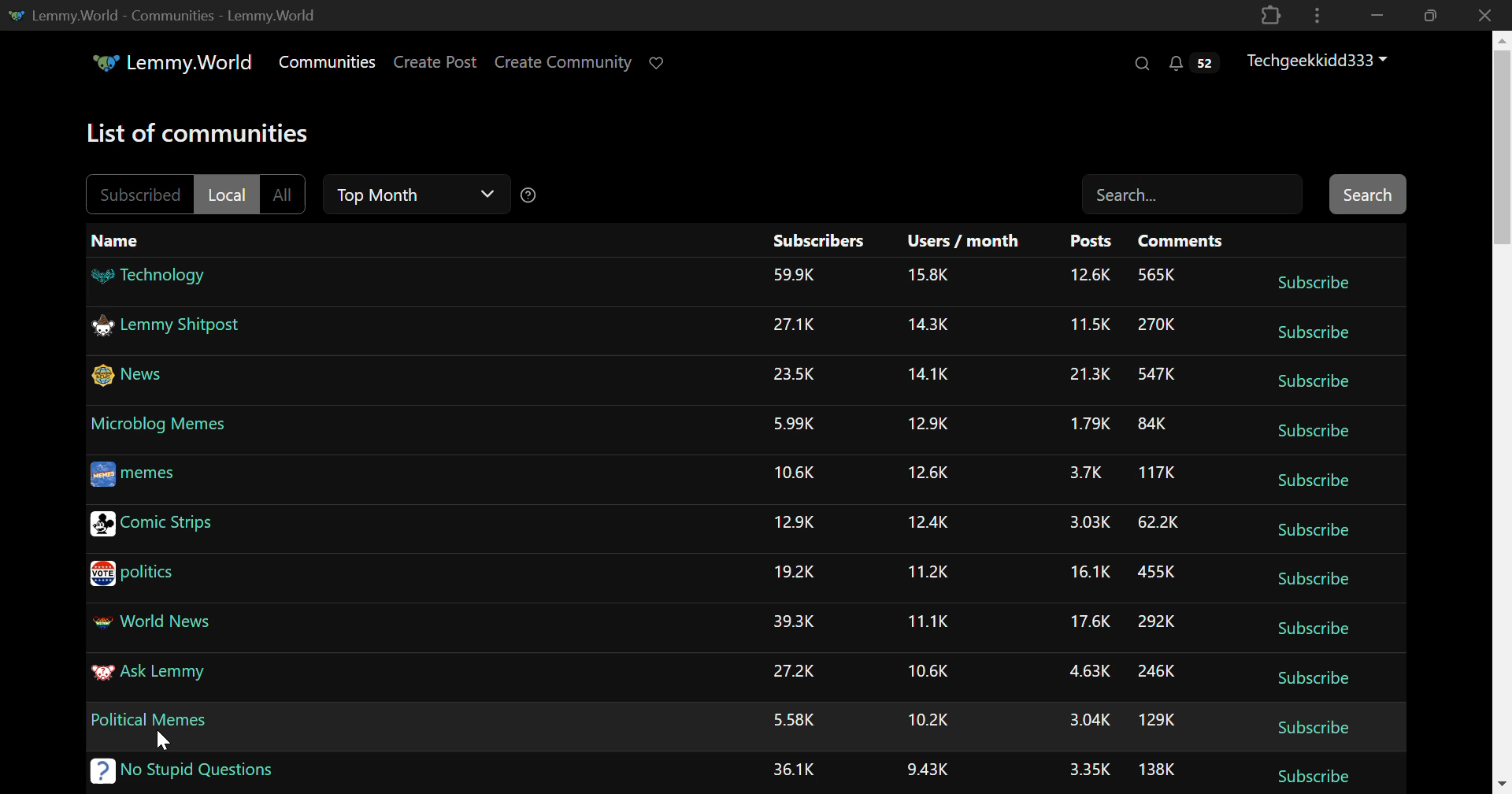  Describe the element at coordinates (226, 192) in the screenshot. I see `Local Community Filter Selected` at that location.